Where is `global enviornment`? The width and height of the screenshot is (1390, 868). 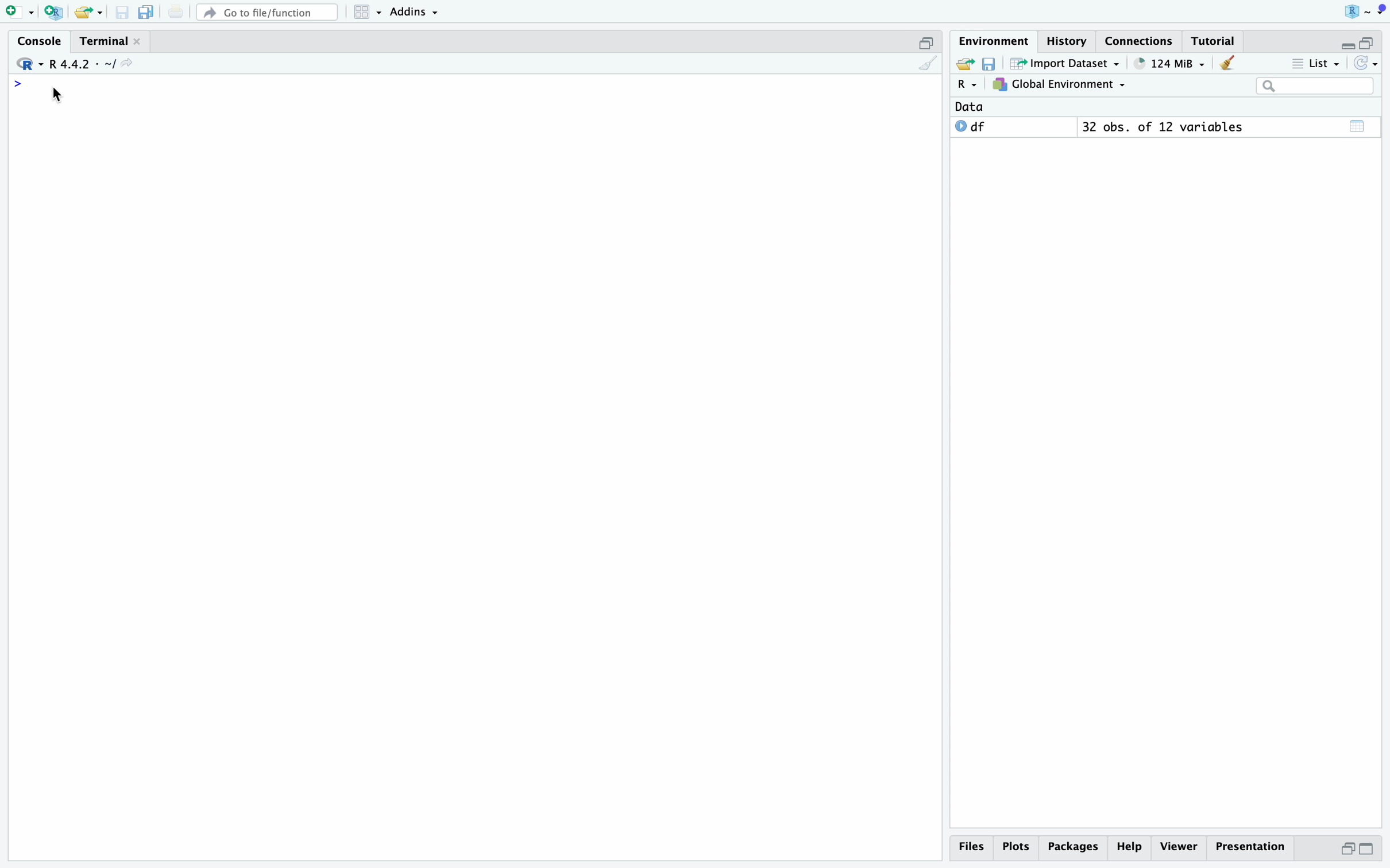
global enviornment is located at coordinates (1059, 84).